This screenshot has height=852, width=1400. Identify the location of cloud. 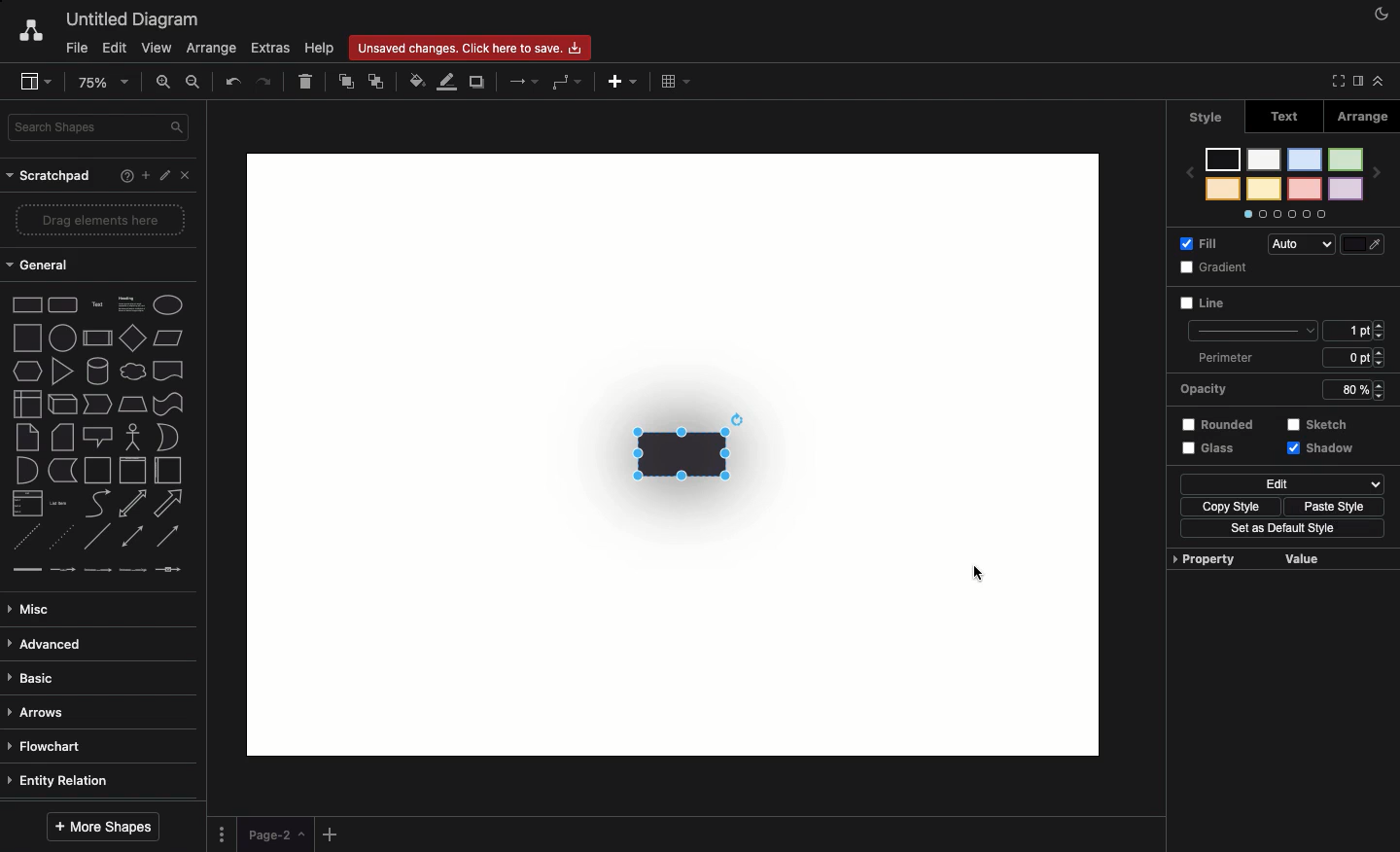
(130, 373).